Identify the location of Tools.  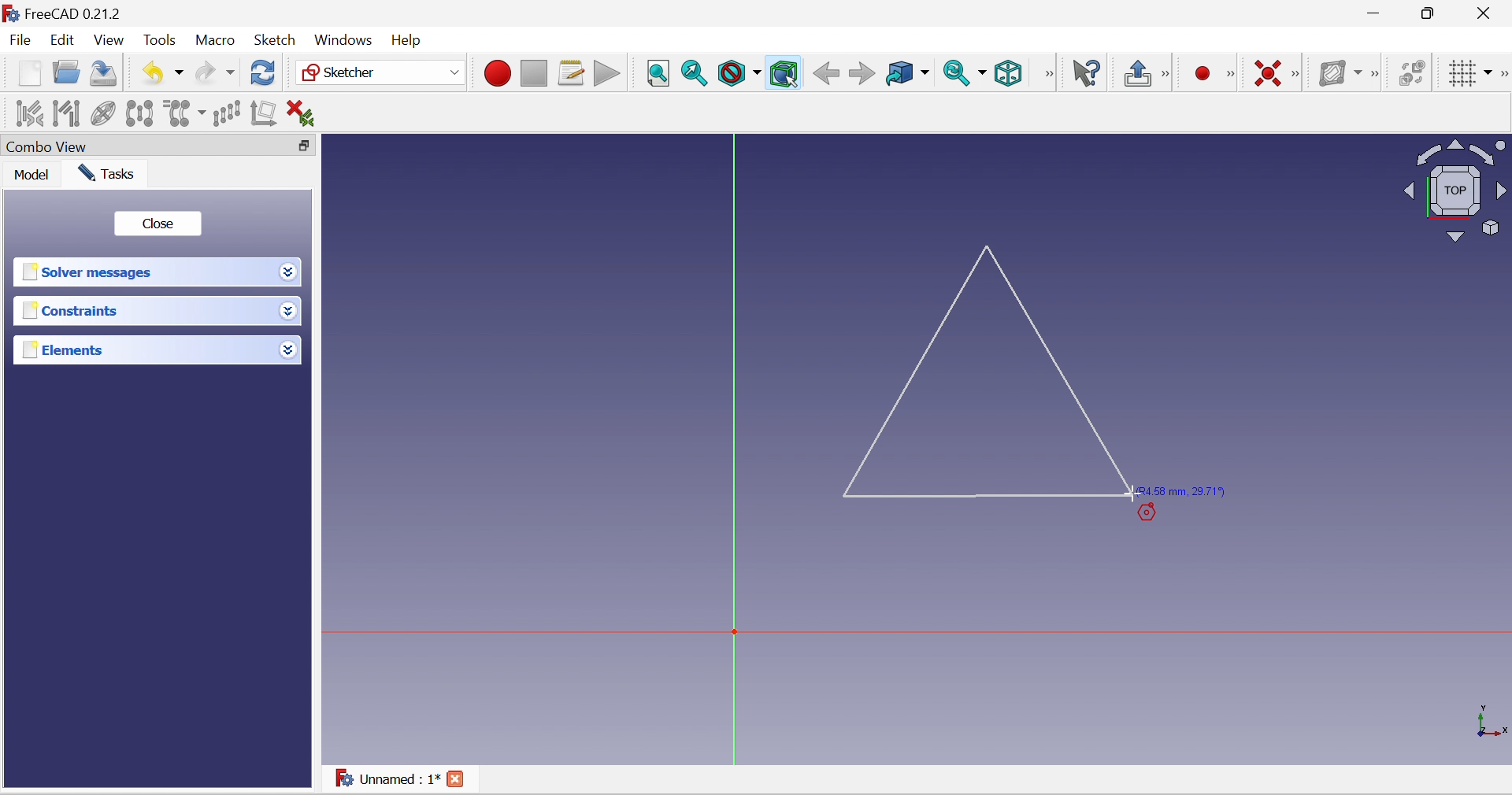
(158, 39).